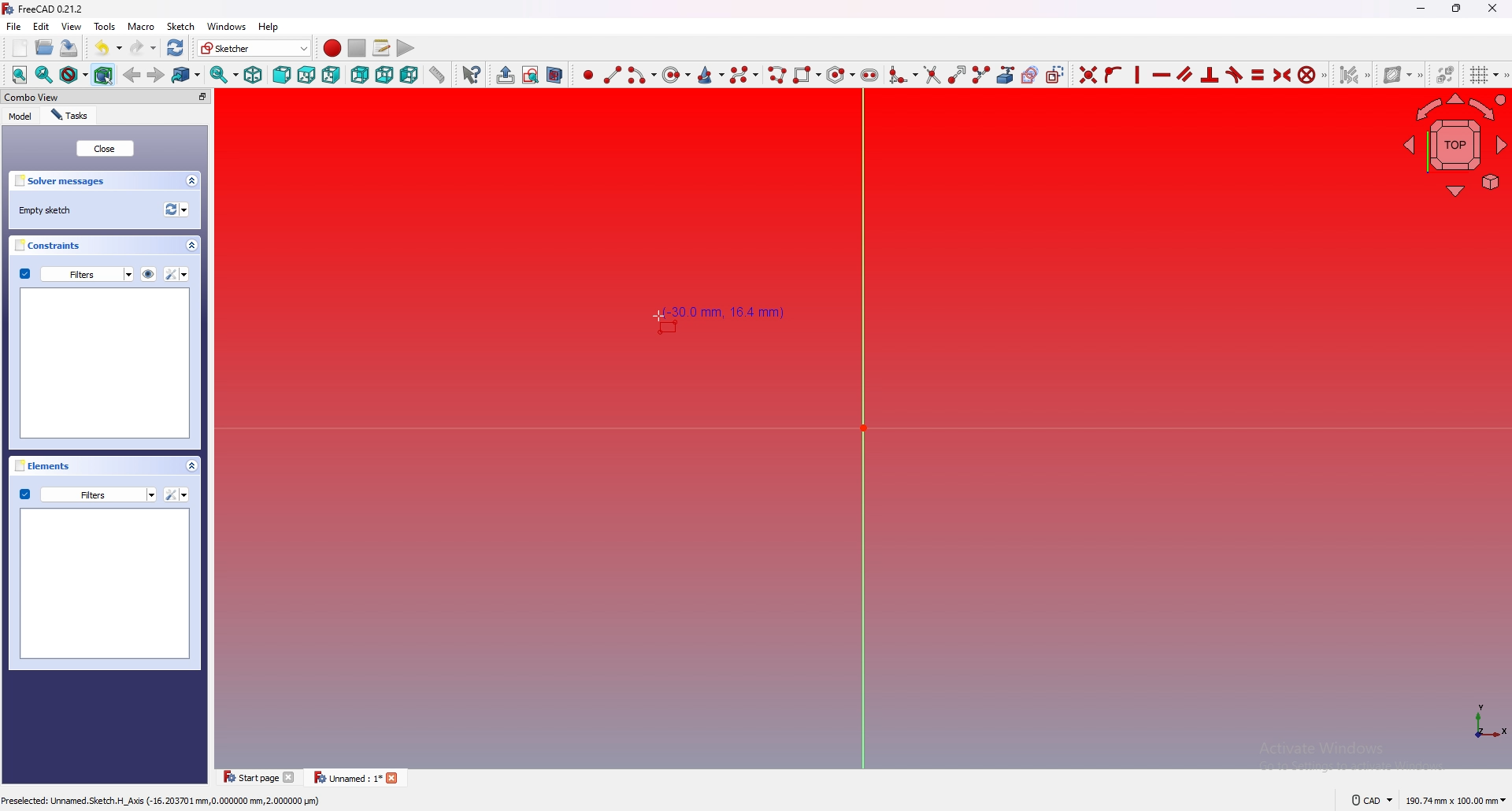 The height and width of the screenshot is (811, 1512). Describe the element at coordinates (1354, 75) in the screenshot. I see `set associated constraints` at that location.